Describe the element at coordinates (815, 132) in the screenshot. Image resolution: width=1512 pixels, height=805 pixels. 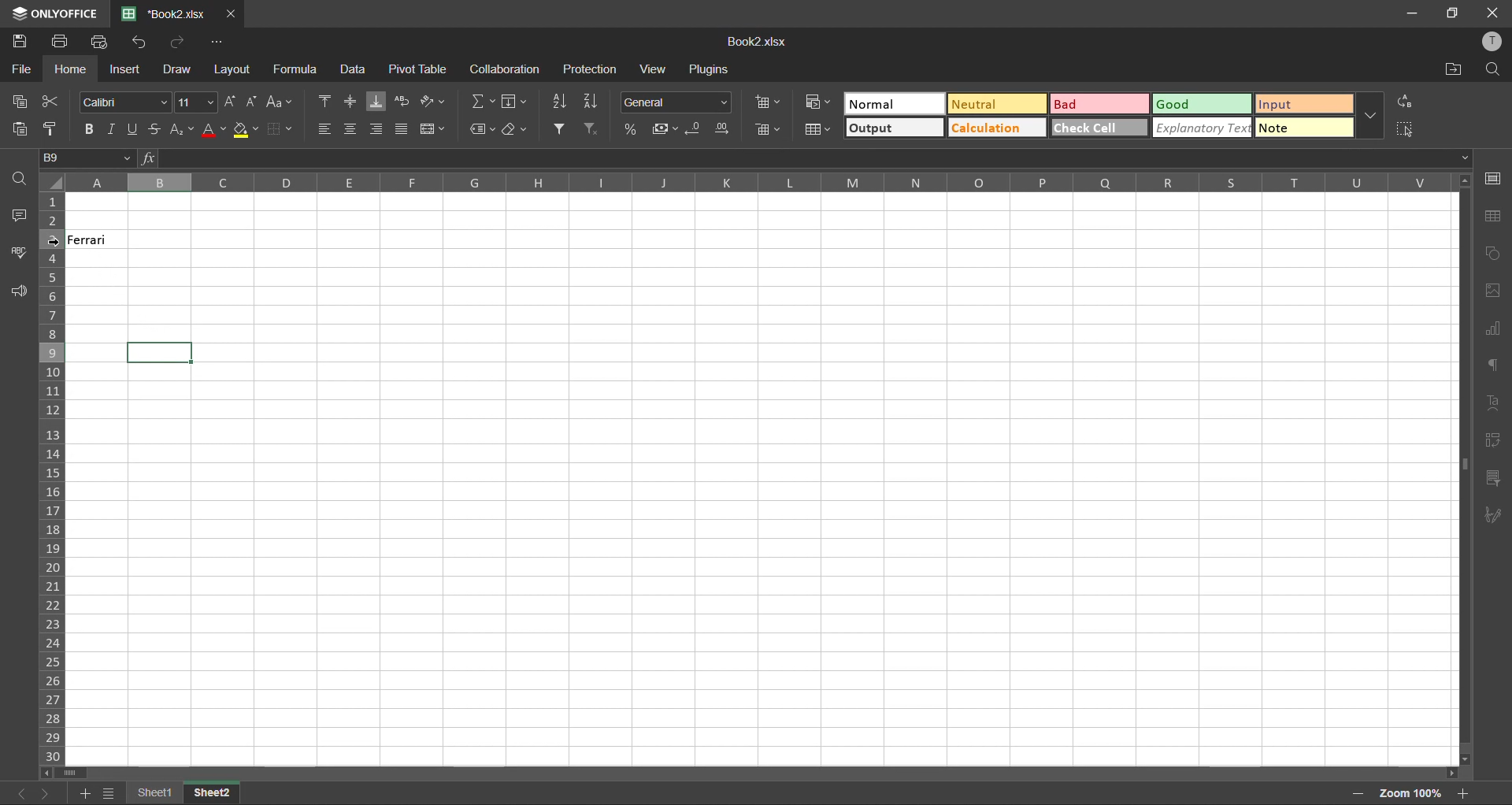
I see `format as table` at that location.